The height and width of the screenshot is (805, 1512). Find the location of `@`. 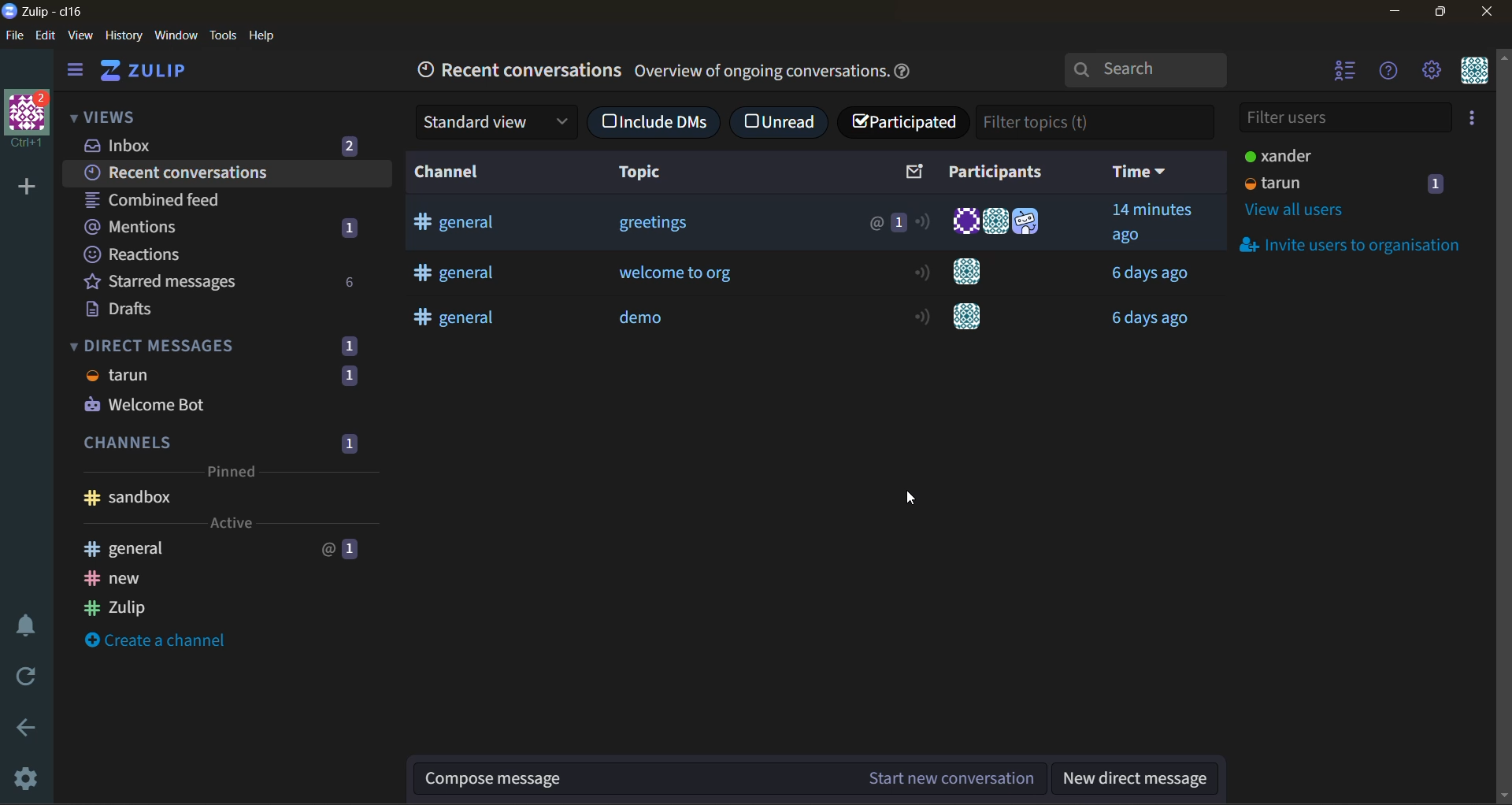

@ is located at coordinates (328, 550).